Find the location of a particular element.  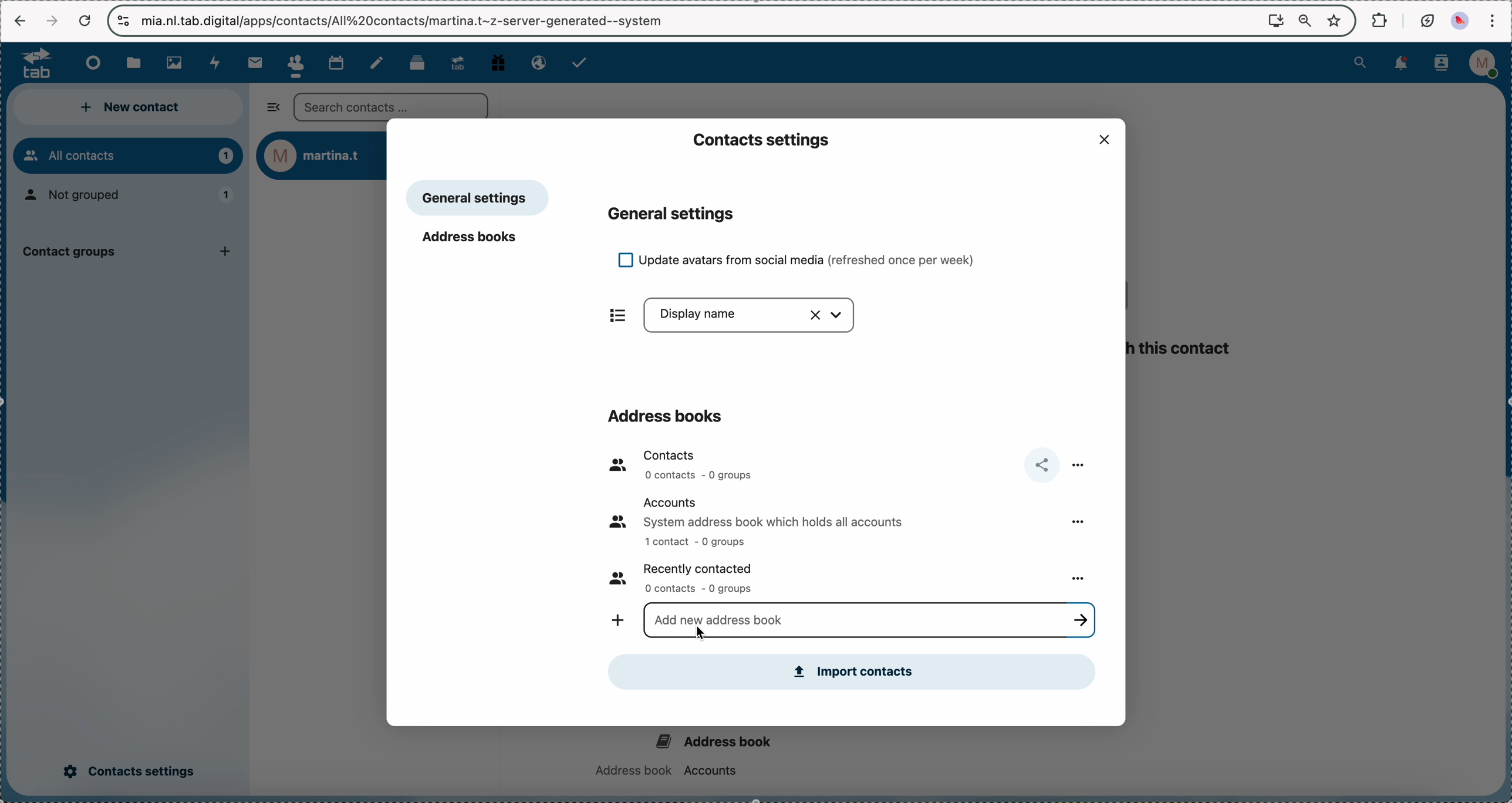

accounts is located at coordinates (772, 521).